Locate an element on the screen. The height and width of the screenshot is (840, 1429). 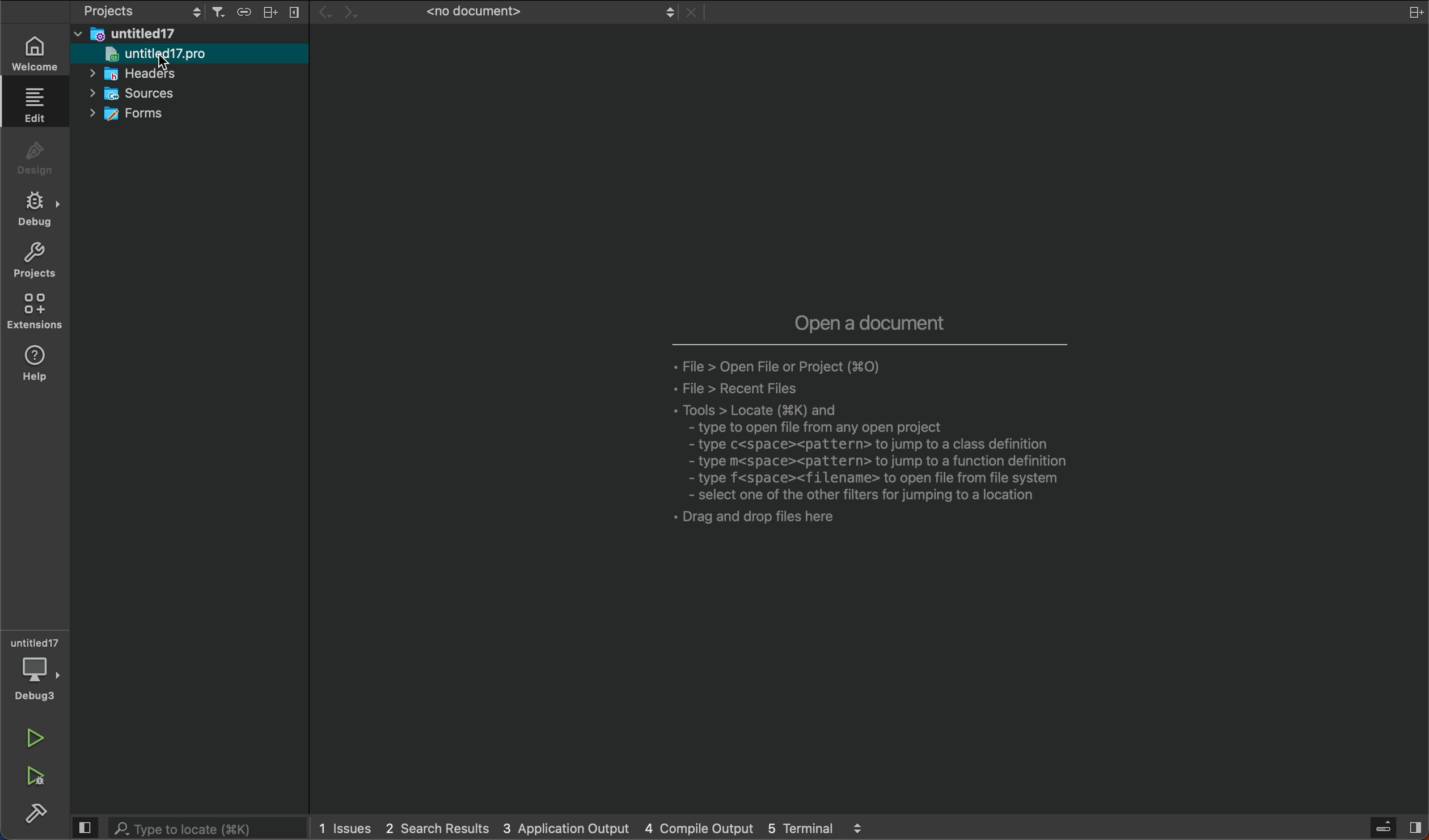
files and folders is located at coordinates (194, 35).